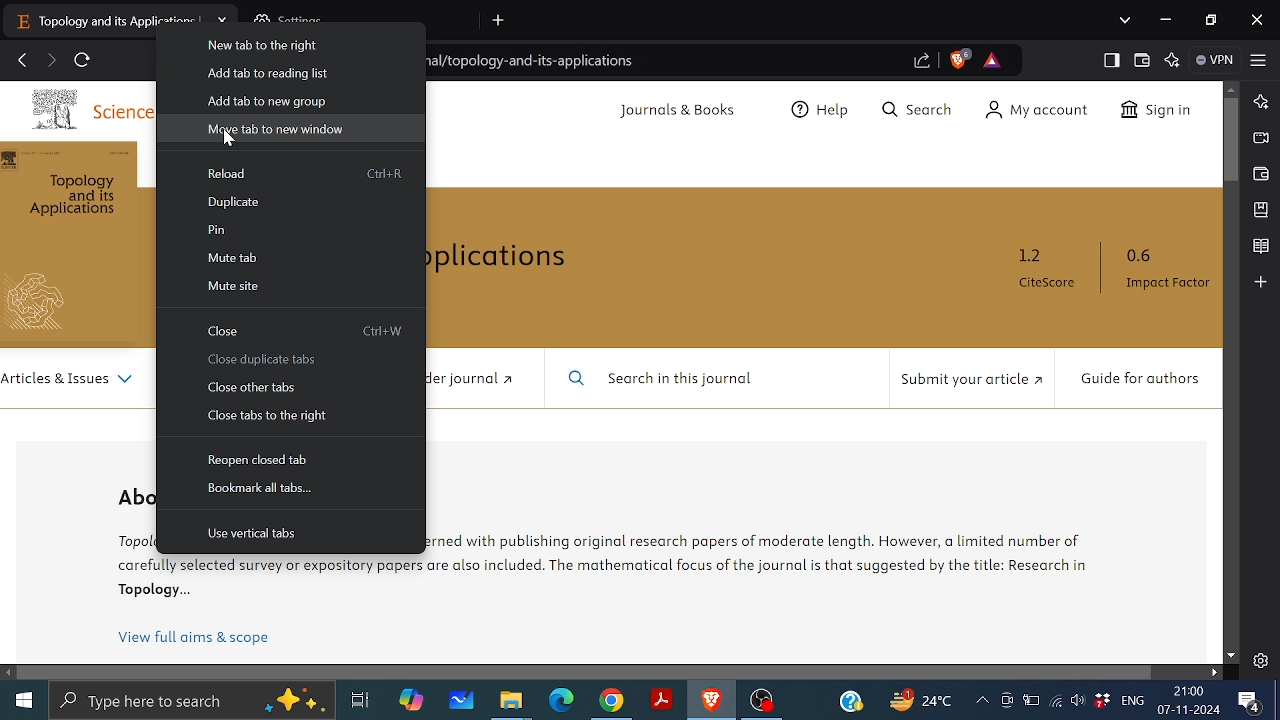 The image size is (1280, 720). I want to click on close window, so click(1260, 20).